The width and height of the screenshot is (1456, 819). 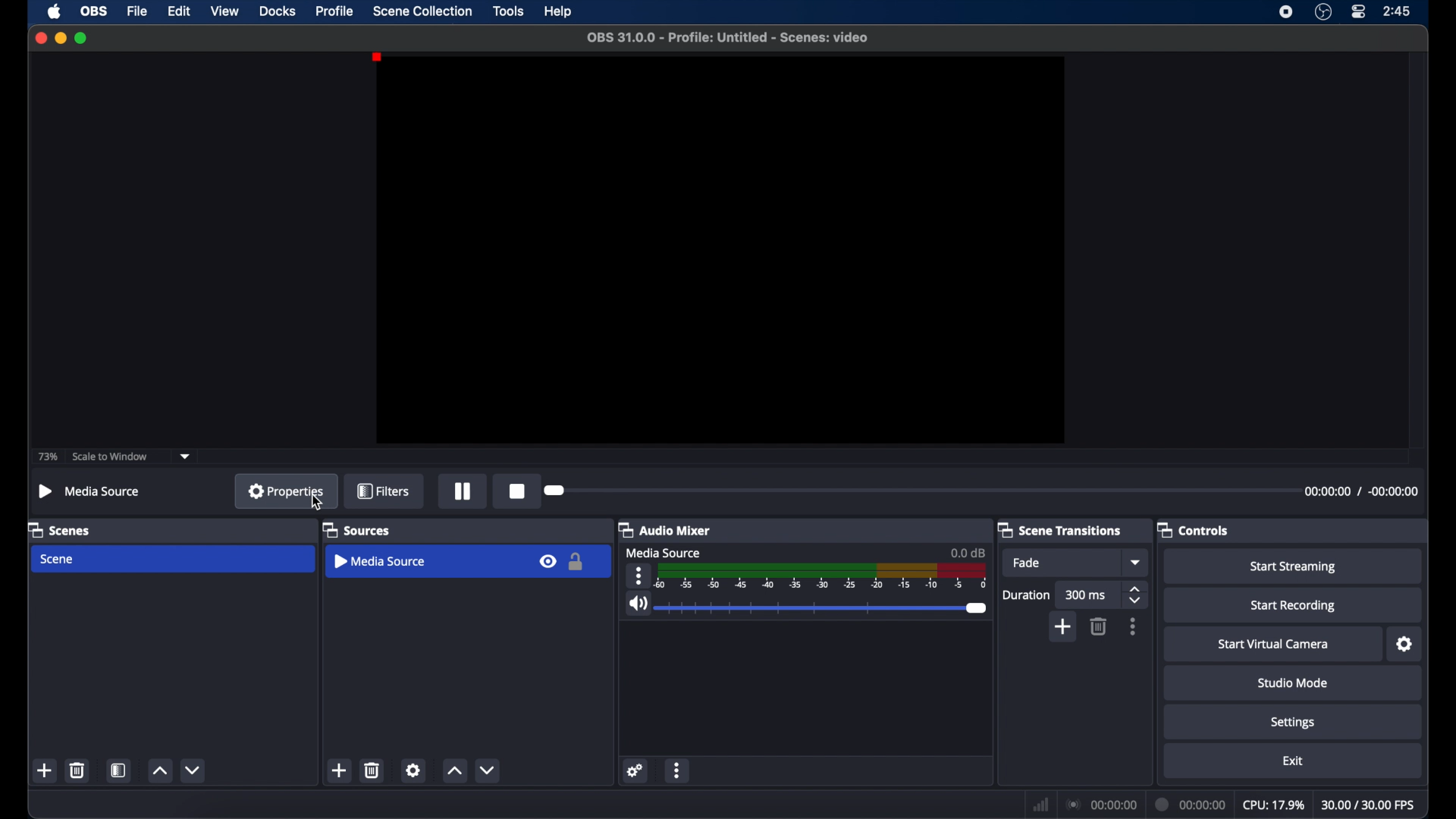 I want to click on edit, so click(x=179, y=11).